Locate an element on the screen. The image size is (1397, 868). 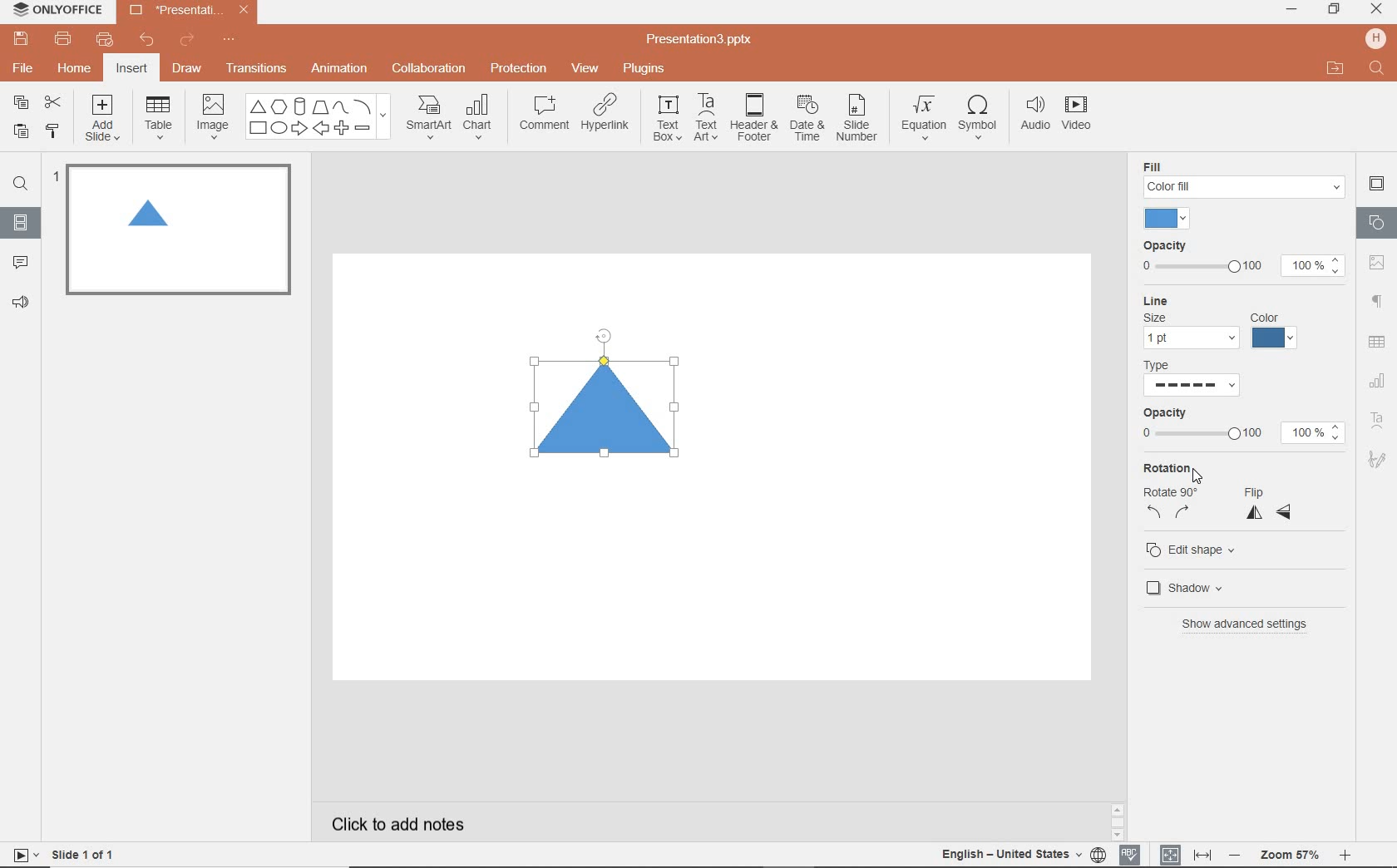
FIT TO WIDTH is located at coordinates (1202, 856).